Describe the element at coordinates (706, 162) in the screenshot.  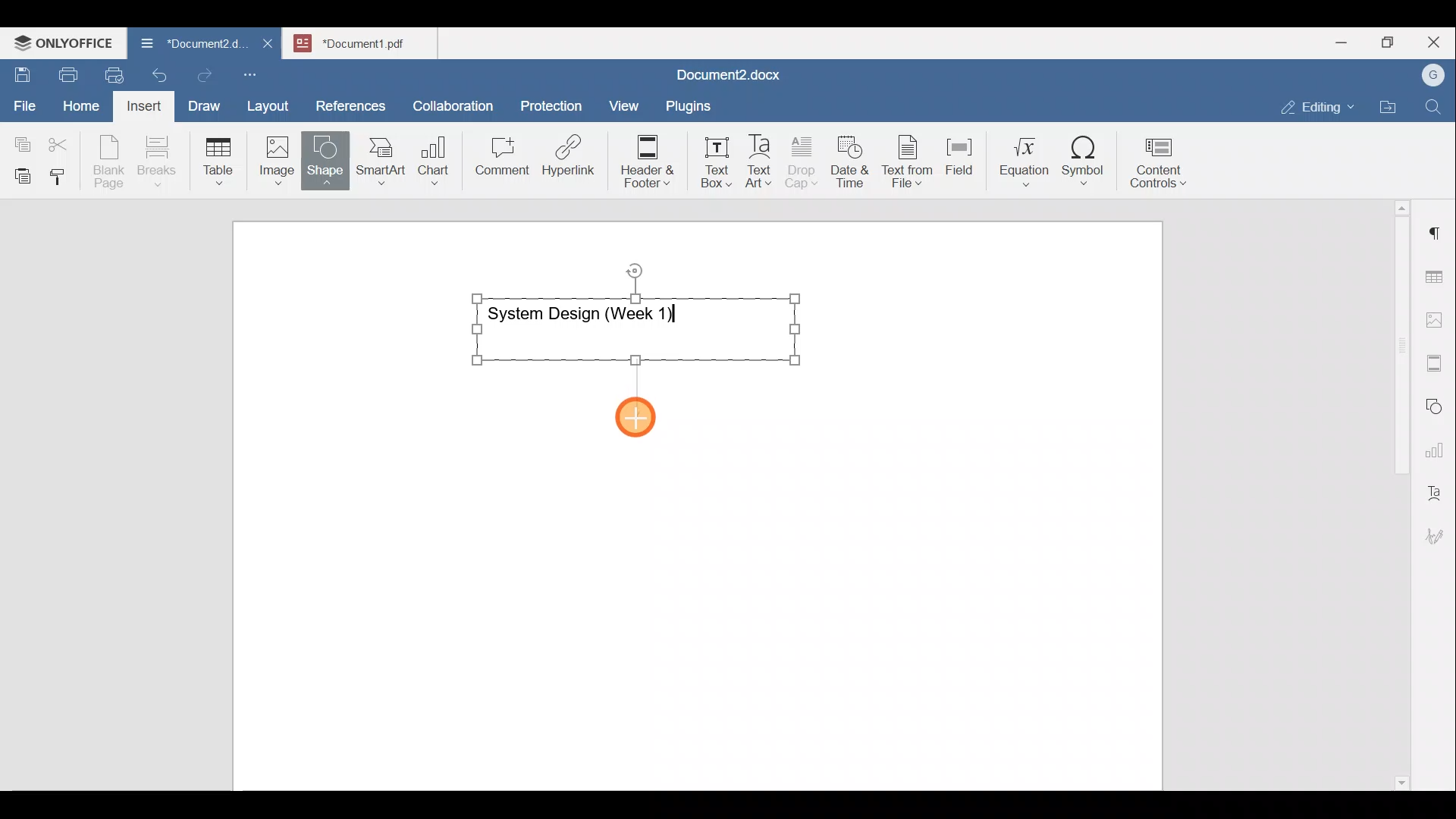
I see `Text box` at that location.